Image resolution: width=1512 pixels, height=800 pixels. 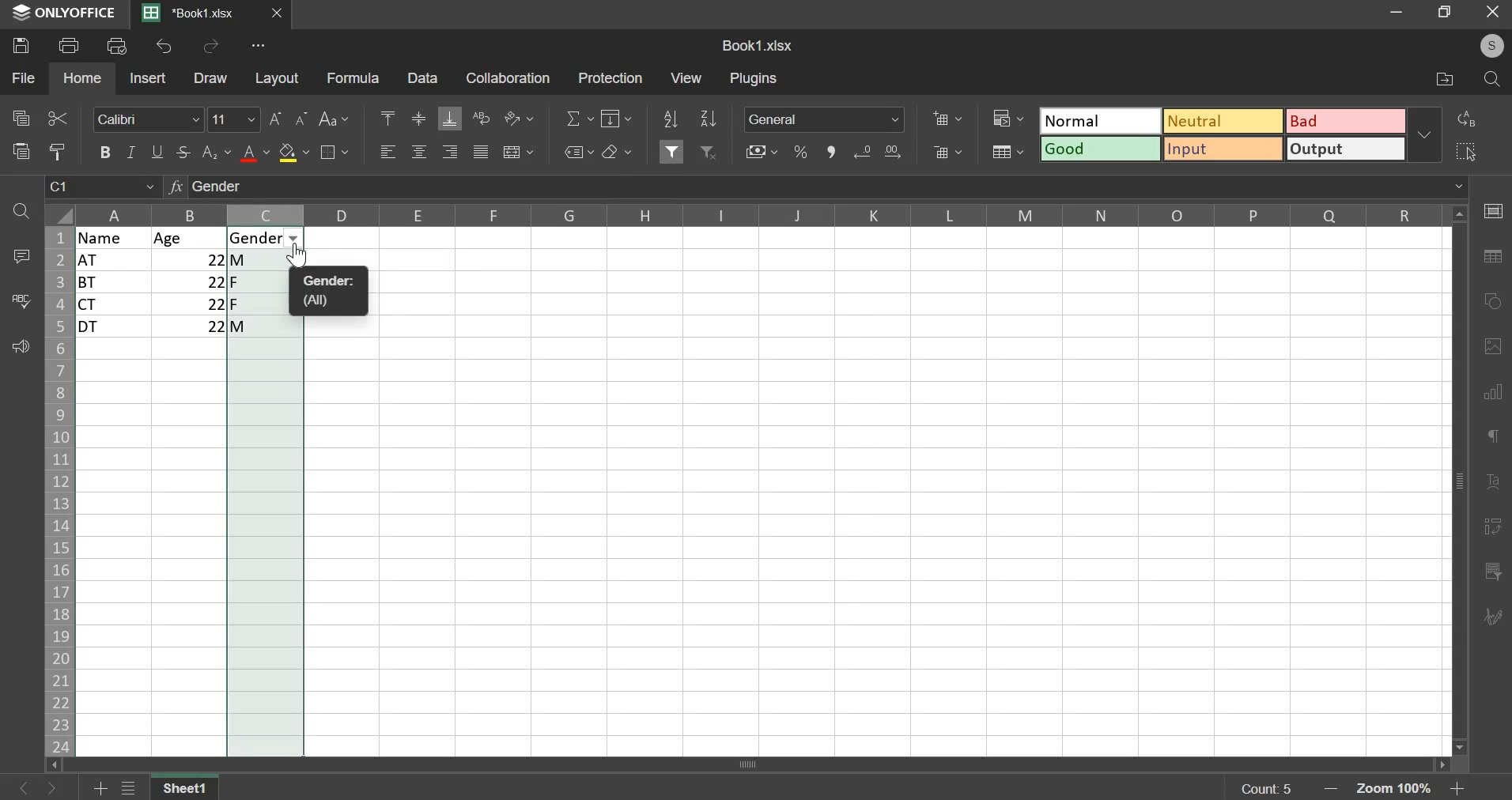 I want to click on 22, so click(x=191, y=304).